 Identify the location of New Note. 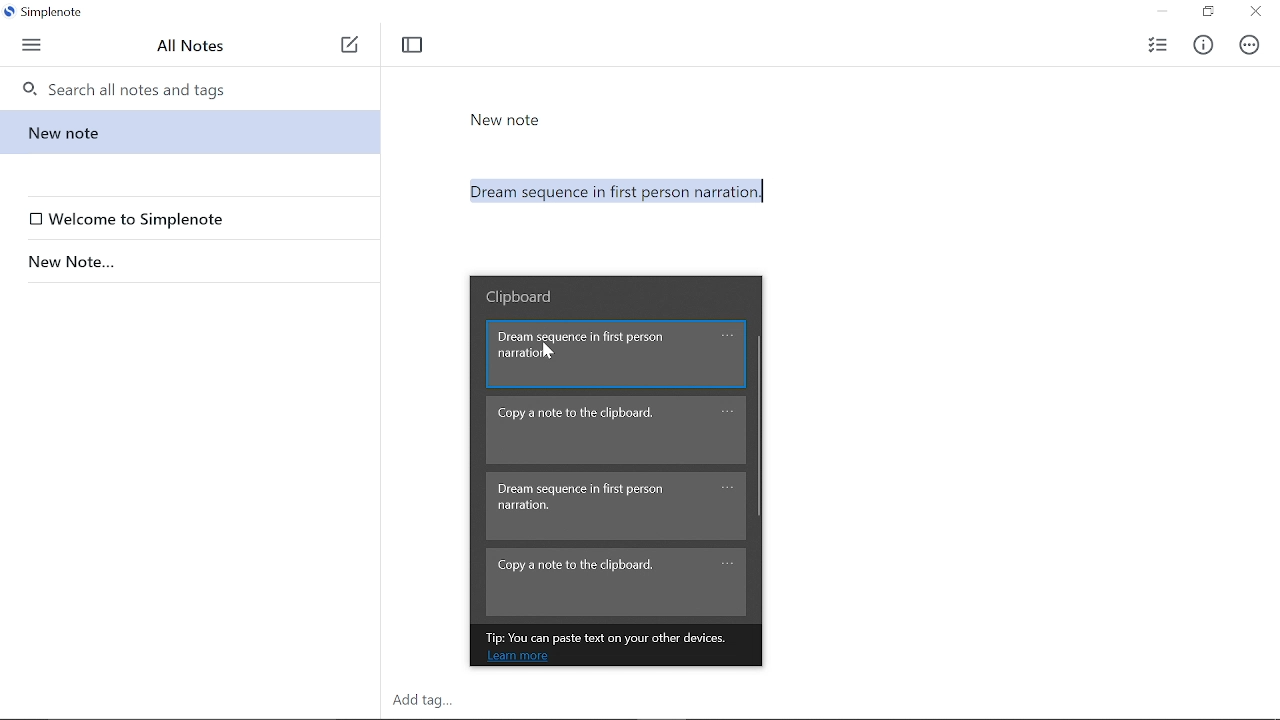
(506, 120).